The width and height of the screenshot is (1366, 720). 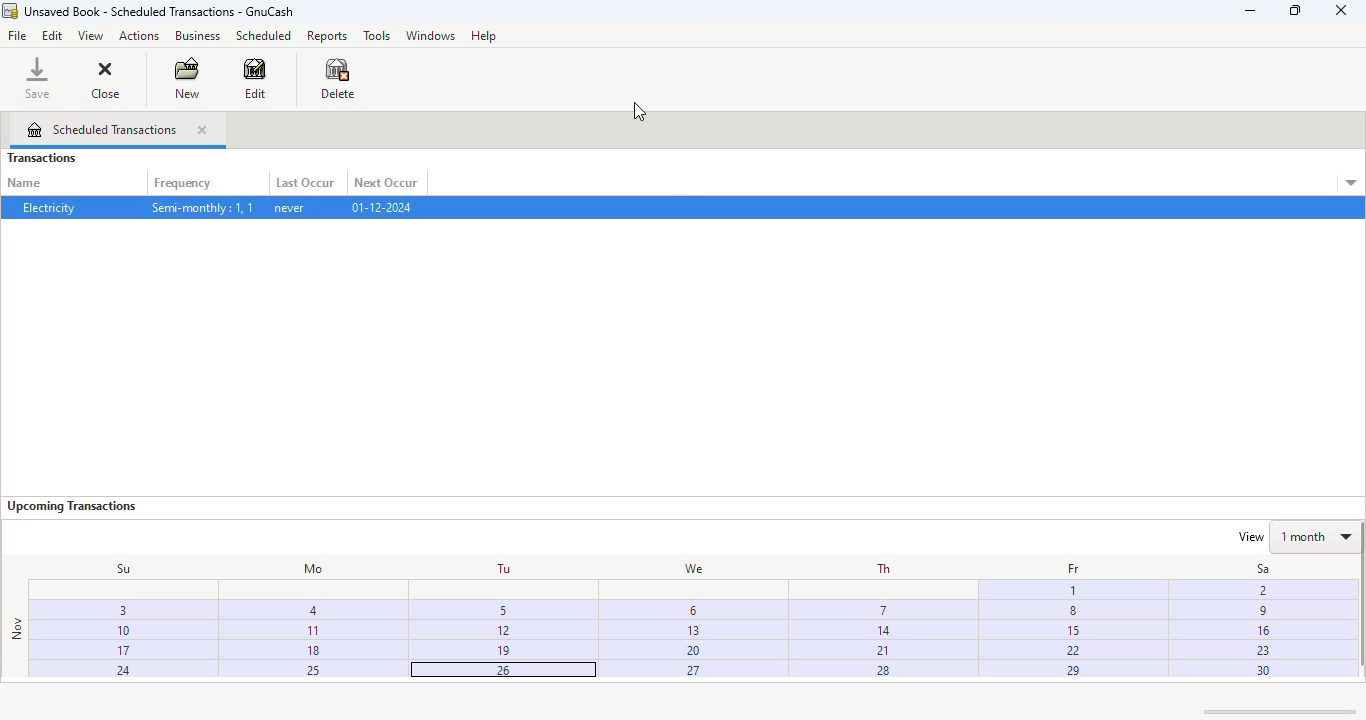 What do you see at coordinates (291, 208) in the screenshot?
I see `never` at bounding box center [291, 208].